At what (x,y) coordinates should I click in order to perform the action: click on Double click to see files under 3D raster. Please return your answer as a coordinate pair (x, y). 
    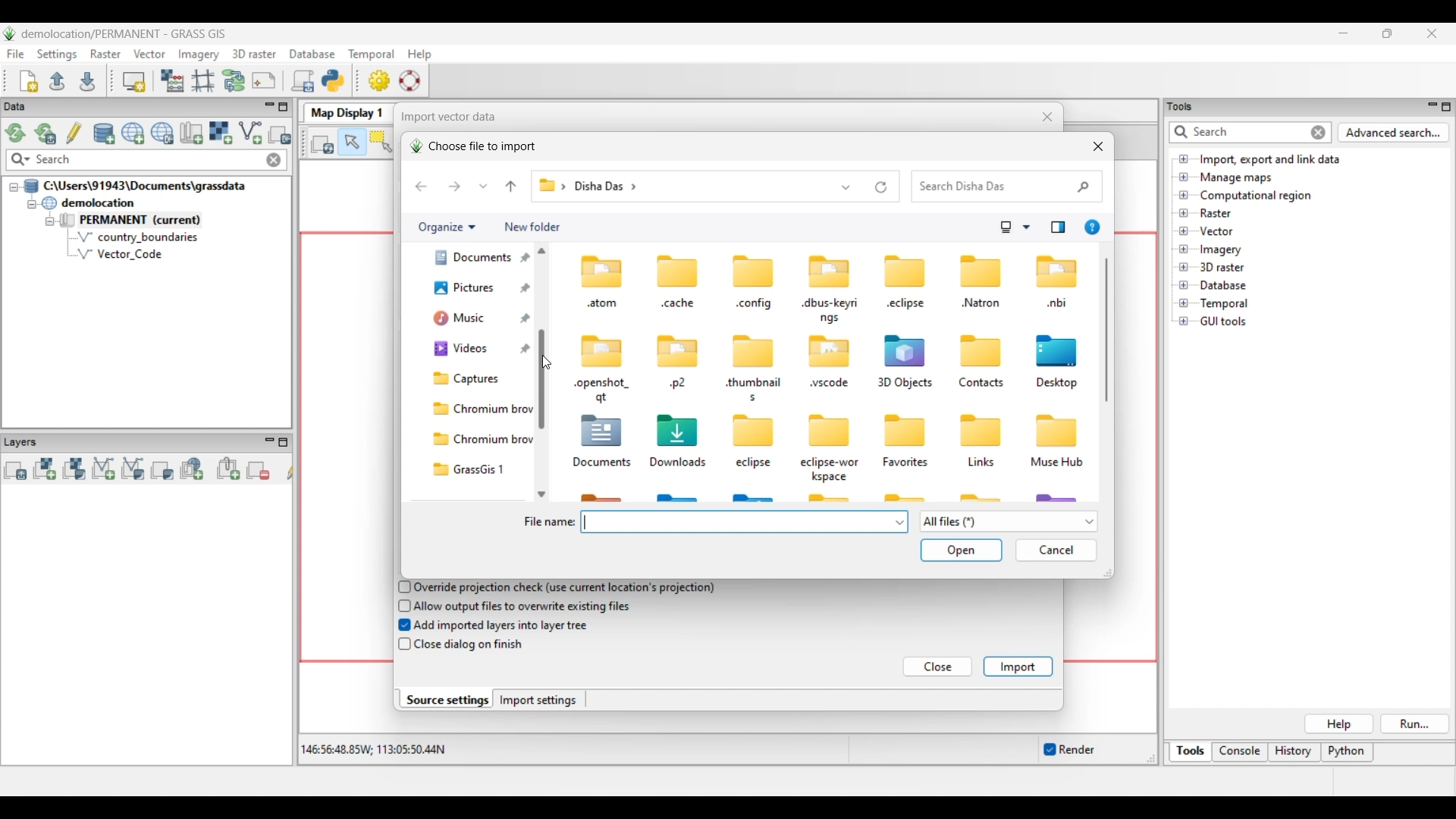
    Looking at the image, I should click on (1222, 267).